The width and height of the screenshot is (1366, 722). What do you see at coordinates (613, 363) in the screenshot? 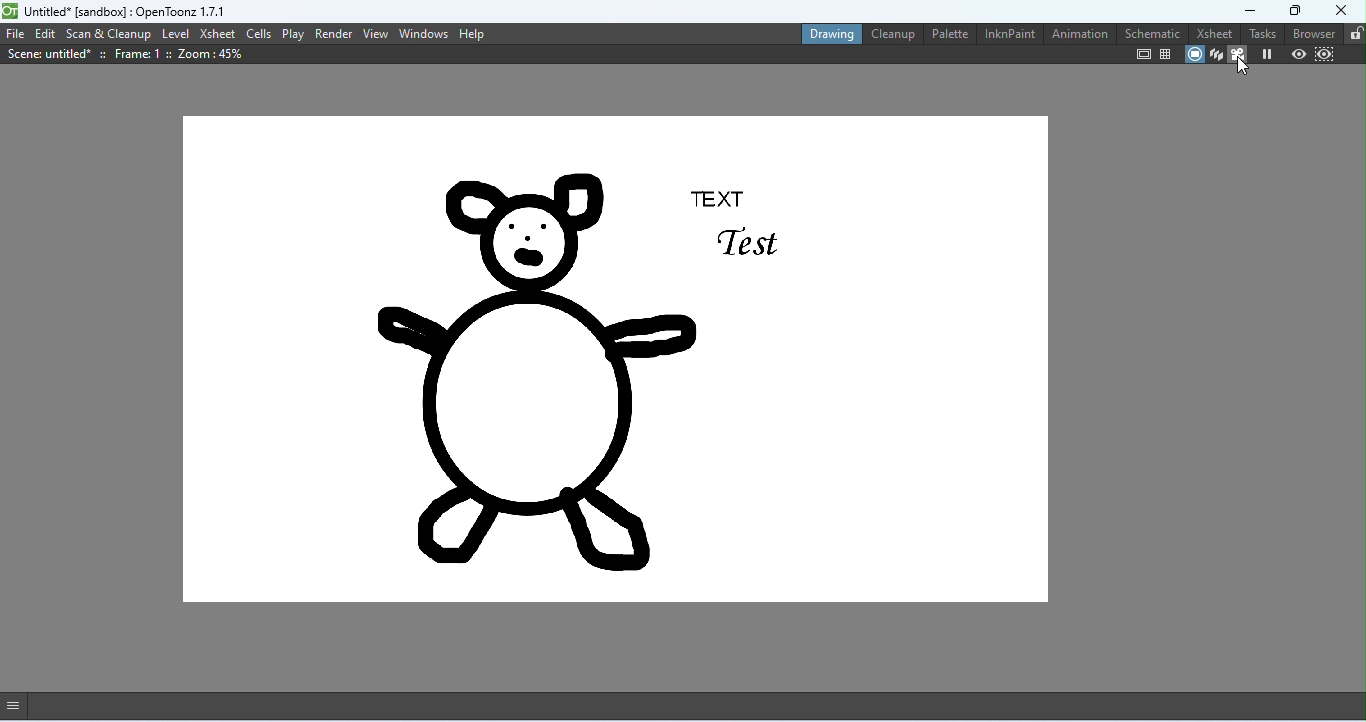
I see `canvas` at bounding box center [613, 363].